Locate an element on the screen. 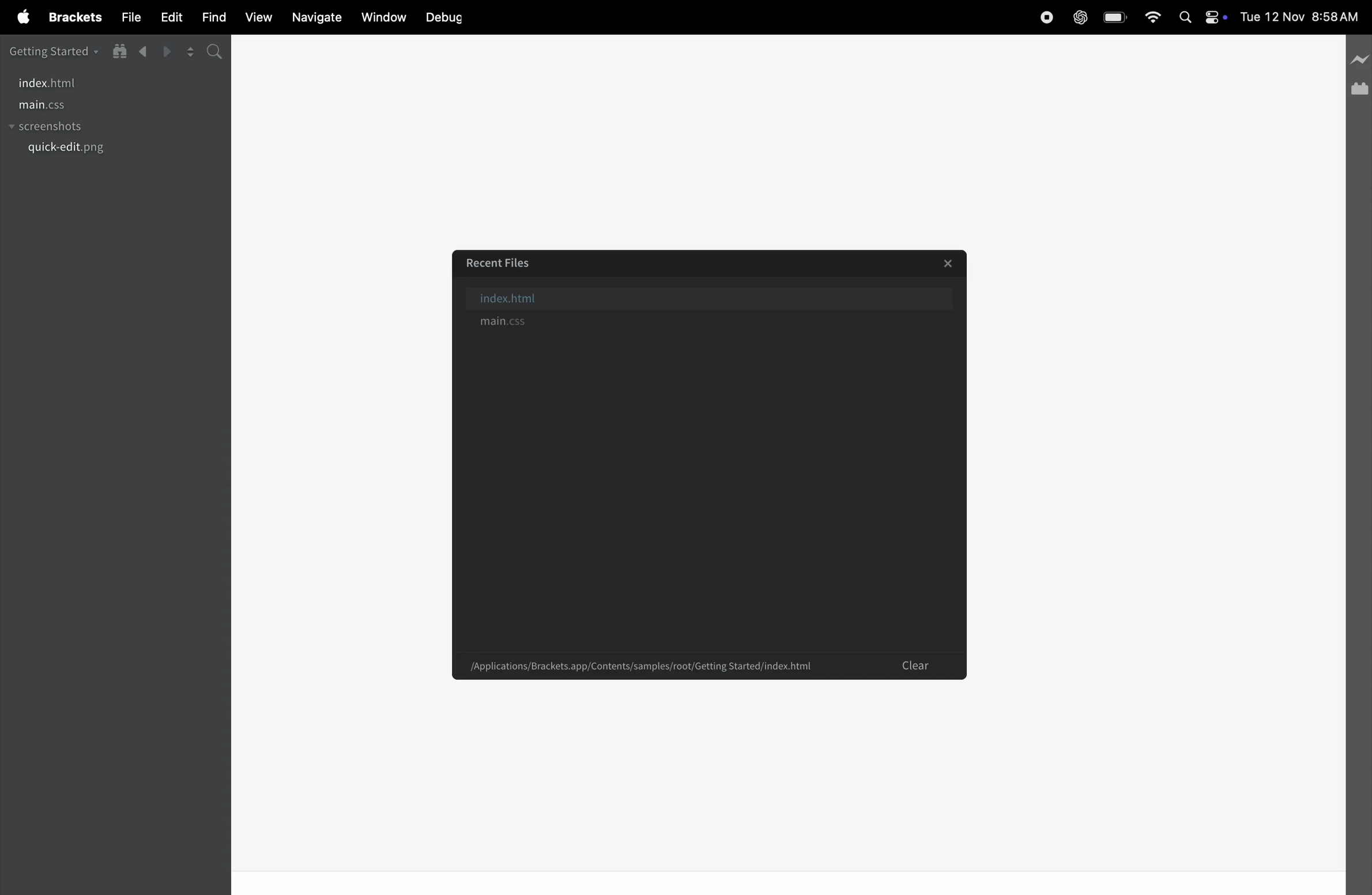 The image size is (1372, 895). index.html is located at coordinates (52, 83).